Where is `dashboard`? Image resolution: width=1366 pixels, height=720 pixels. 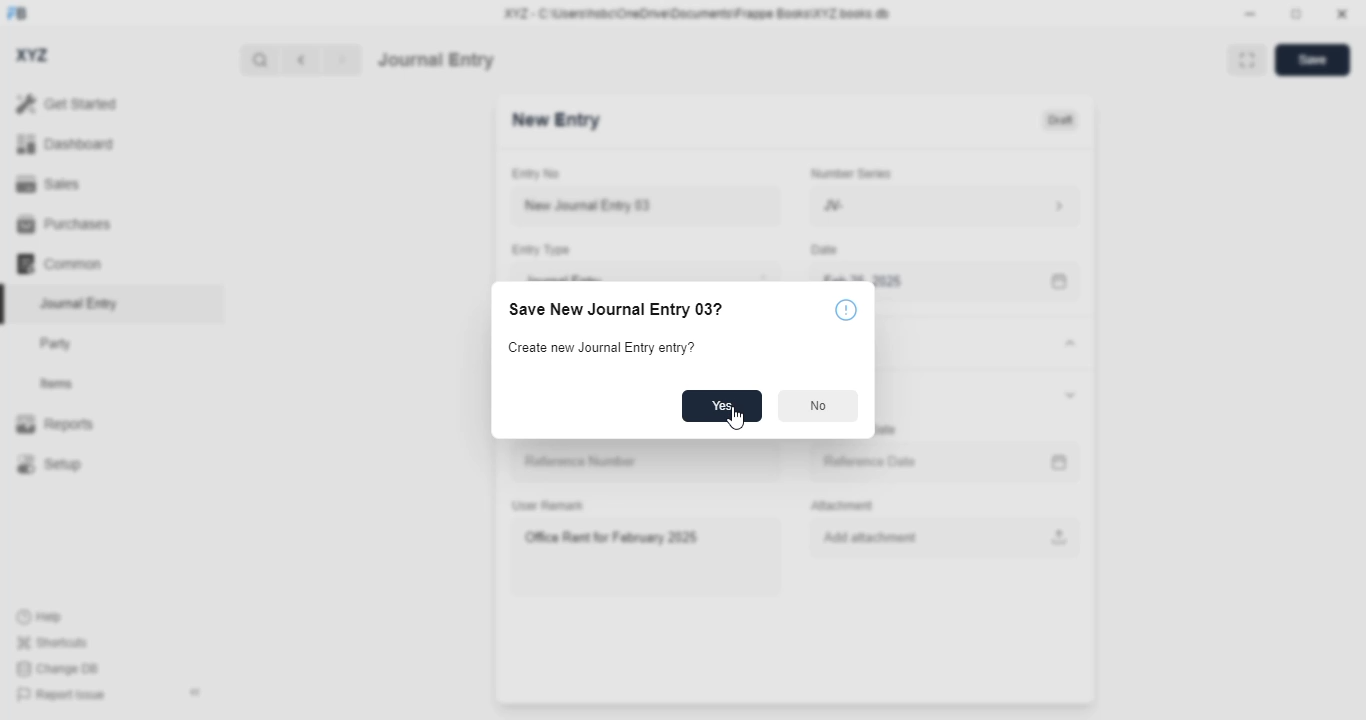 dashboard is located at coordinates (66, 144).